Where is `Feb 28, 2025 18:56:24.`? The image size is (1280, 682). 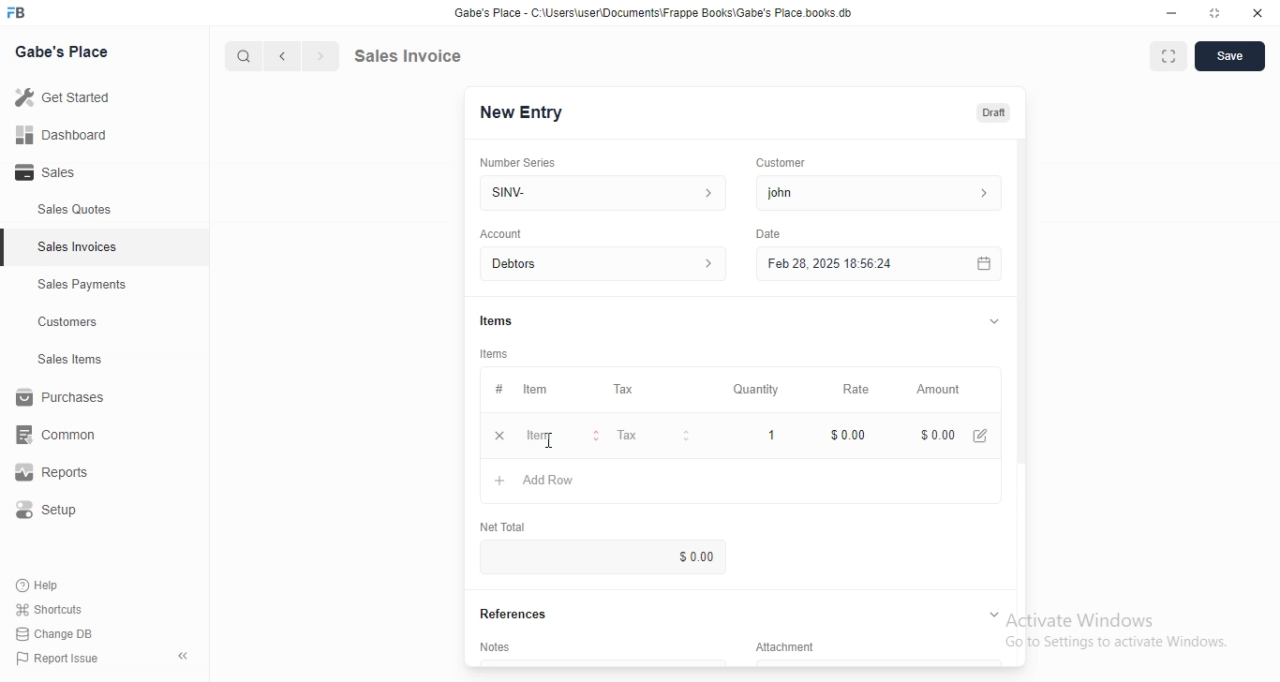 Feb 28, 2025 18:56:24. is located at coordinates (875, 262).